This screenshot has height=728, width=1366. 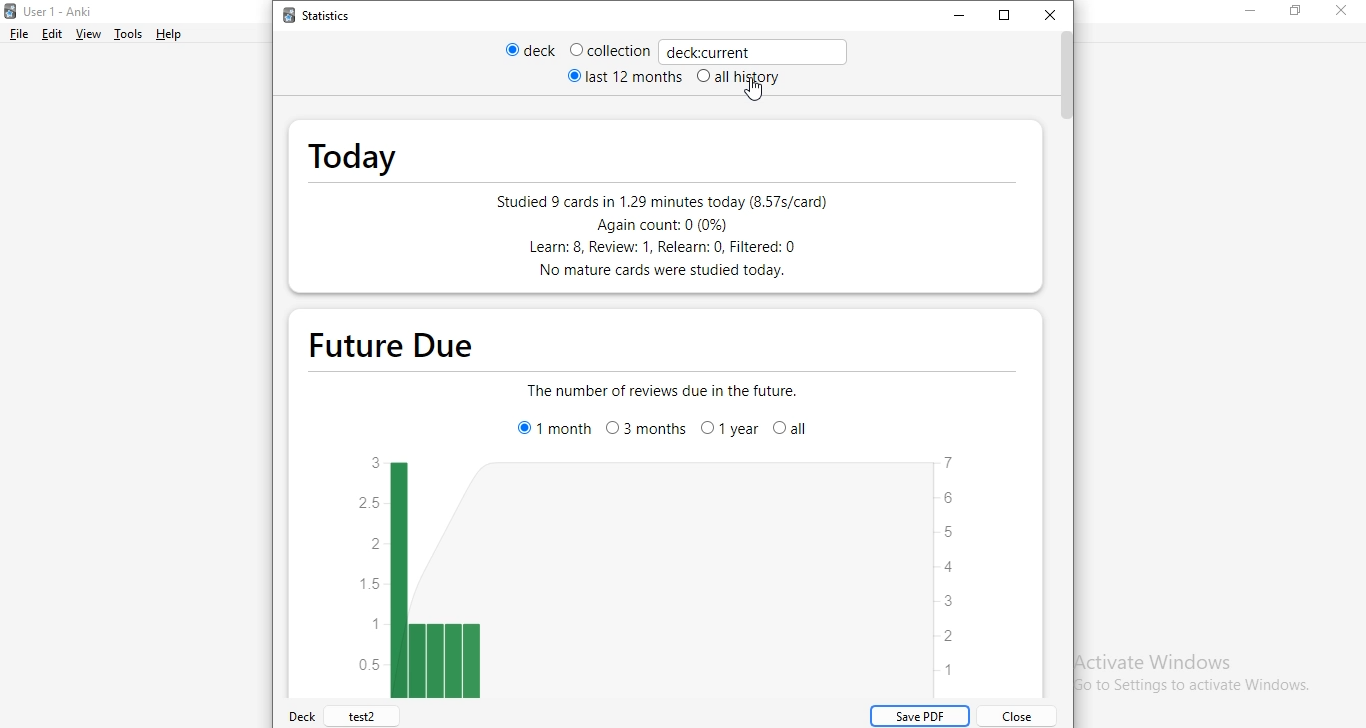 I want to click on save pdf, so click(x=920, y=717).